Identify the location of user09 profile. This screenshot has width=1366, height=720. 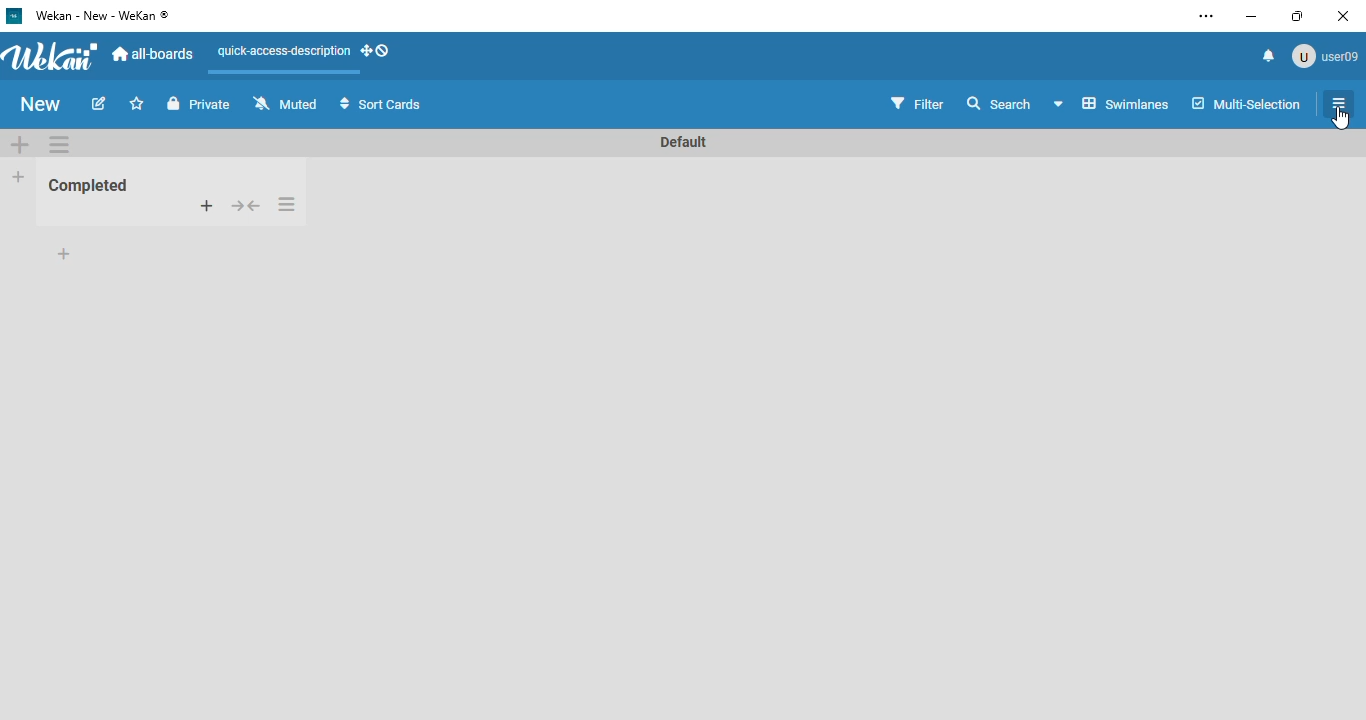
(1324, 56).